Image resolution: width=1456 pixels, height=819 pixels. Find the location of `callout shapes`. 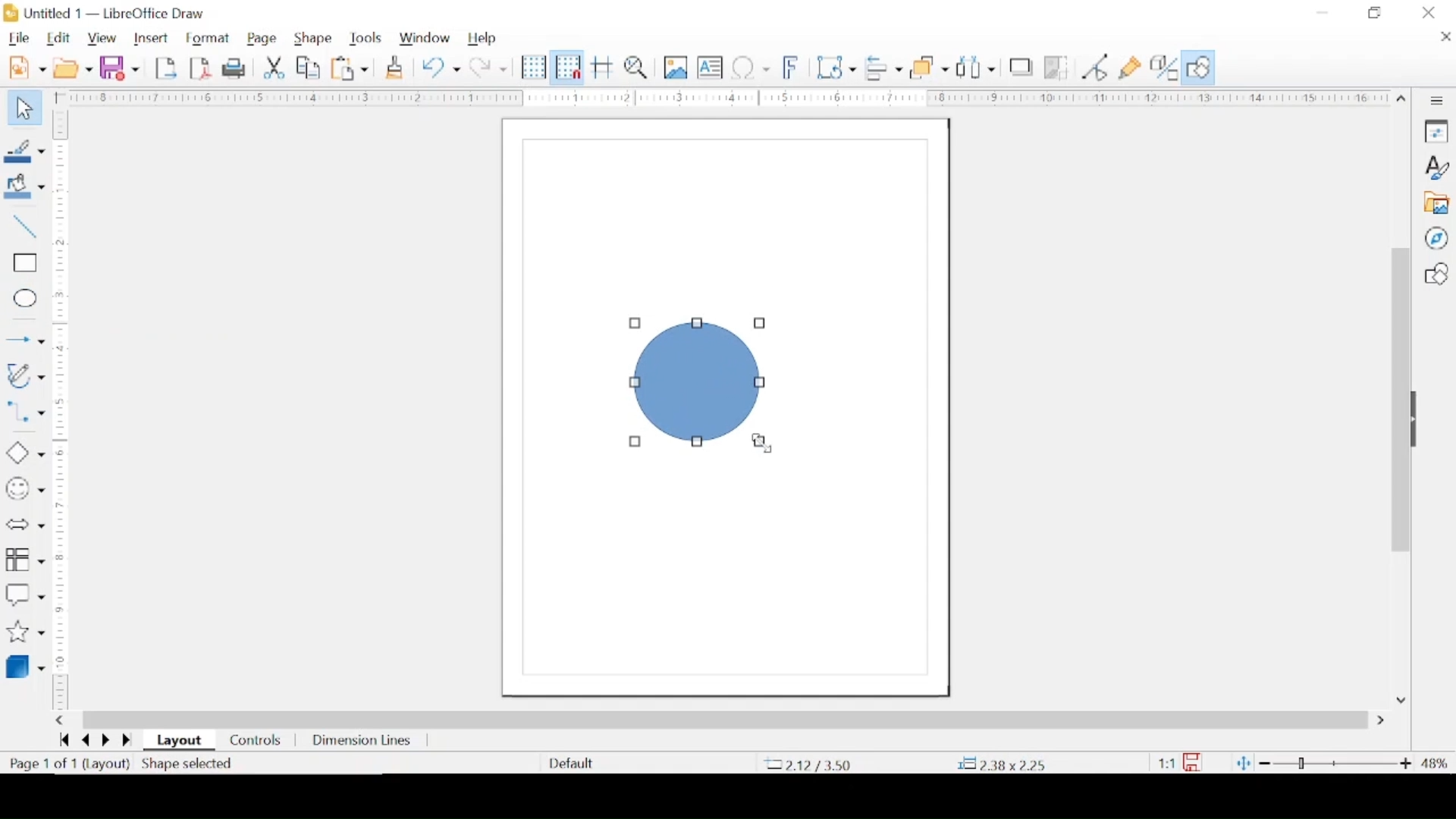

callout shapes is located at coordinates (25, 593).